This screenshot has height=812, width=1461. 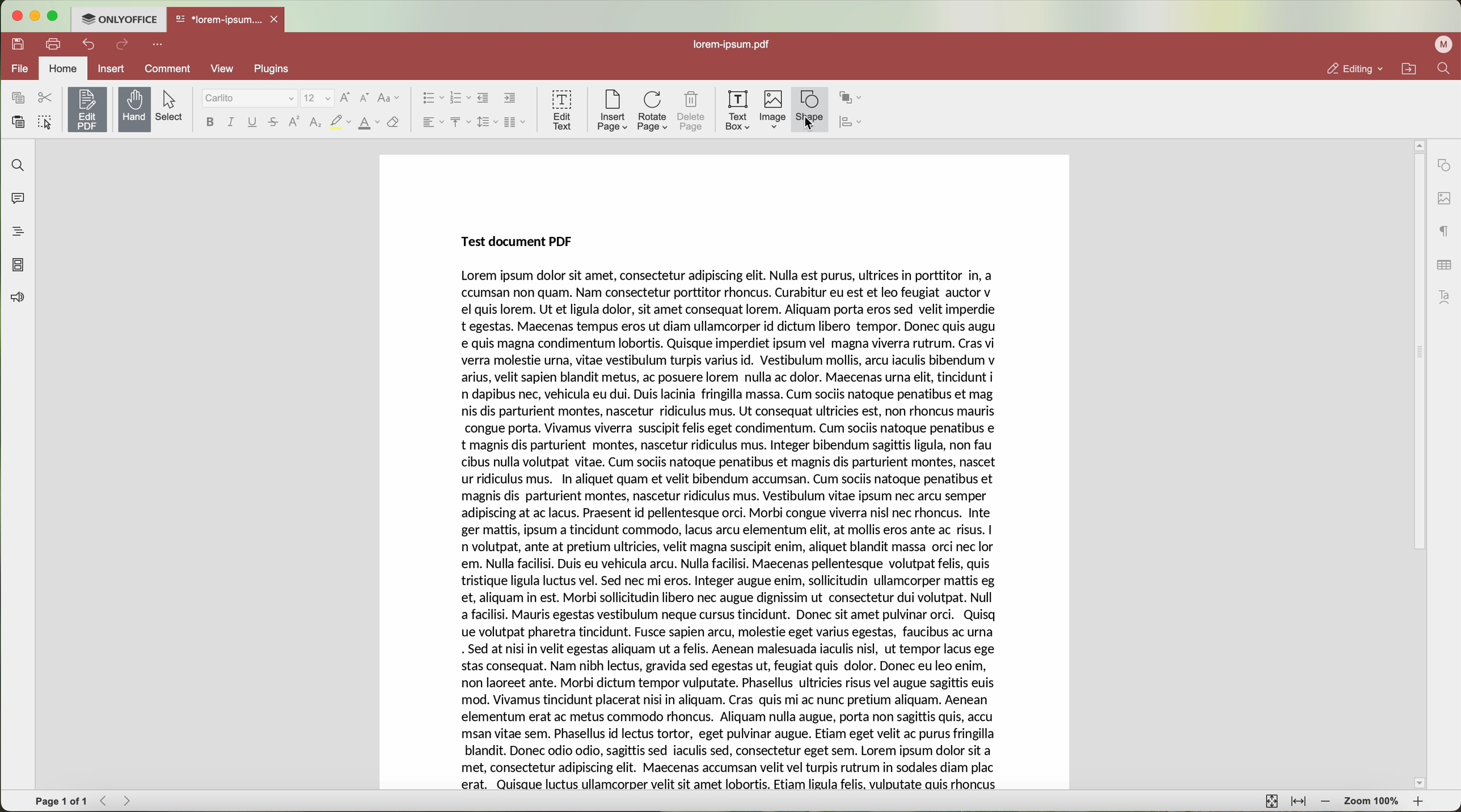 I want to click on body text, so click(x=729, y=530).